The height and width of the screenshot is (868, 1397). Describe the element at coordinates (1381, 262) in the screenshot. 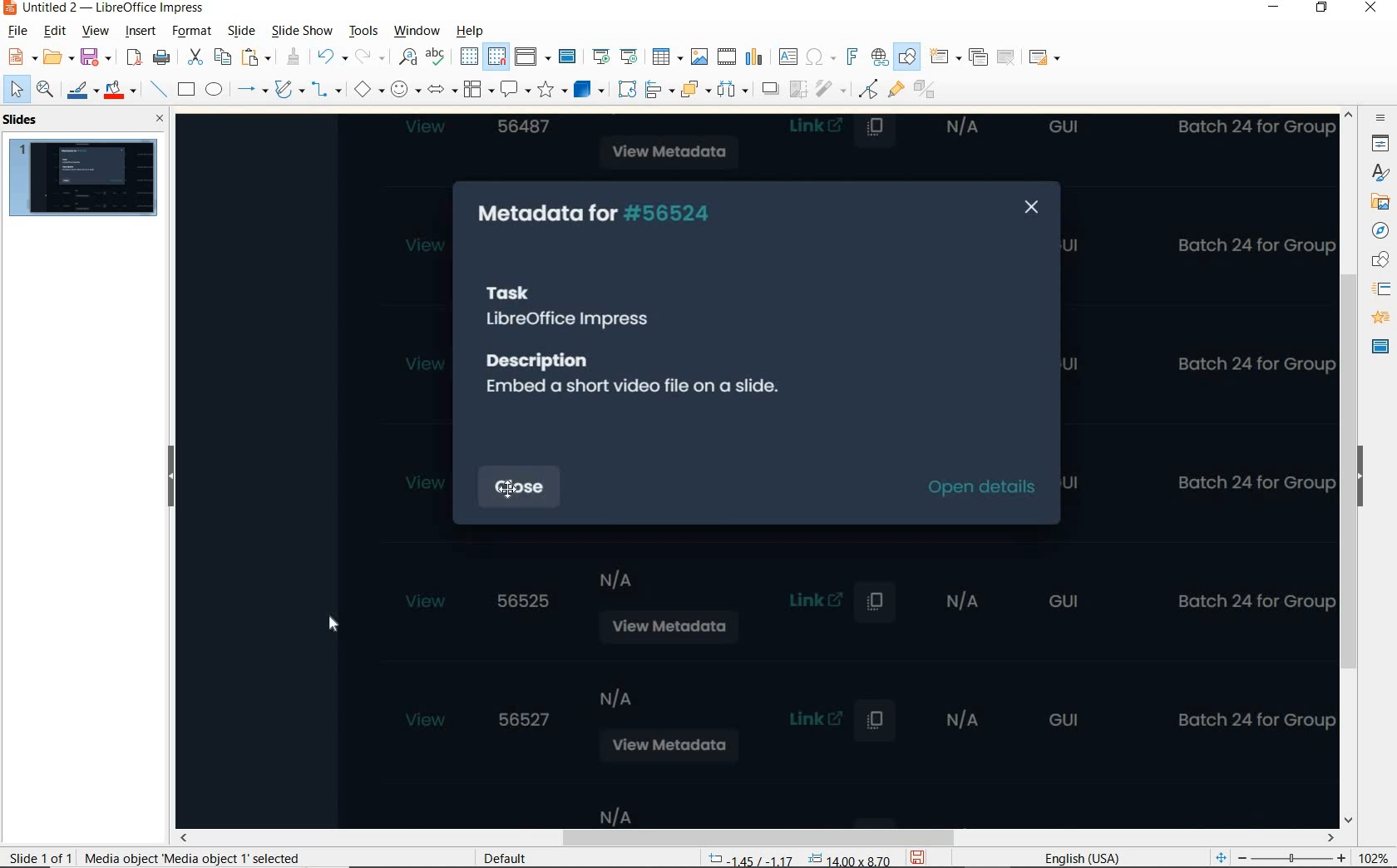

I see `SHAPE` at that location.